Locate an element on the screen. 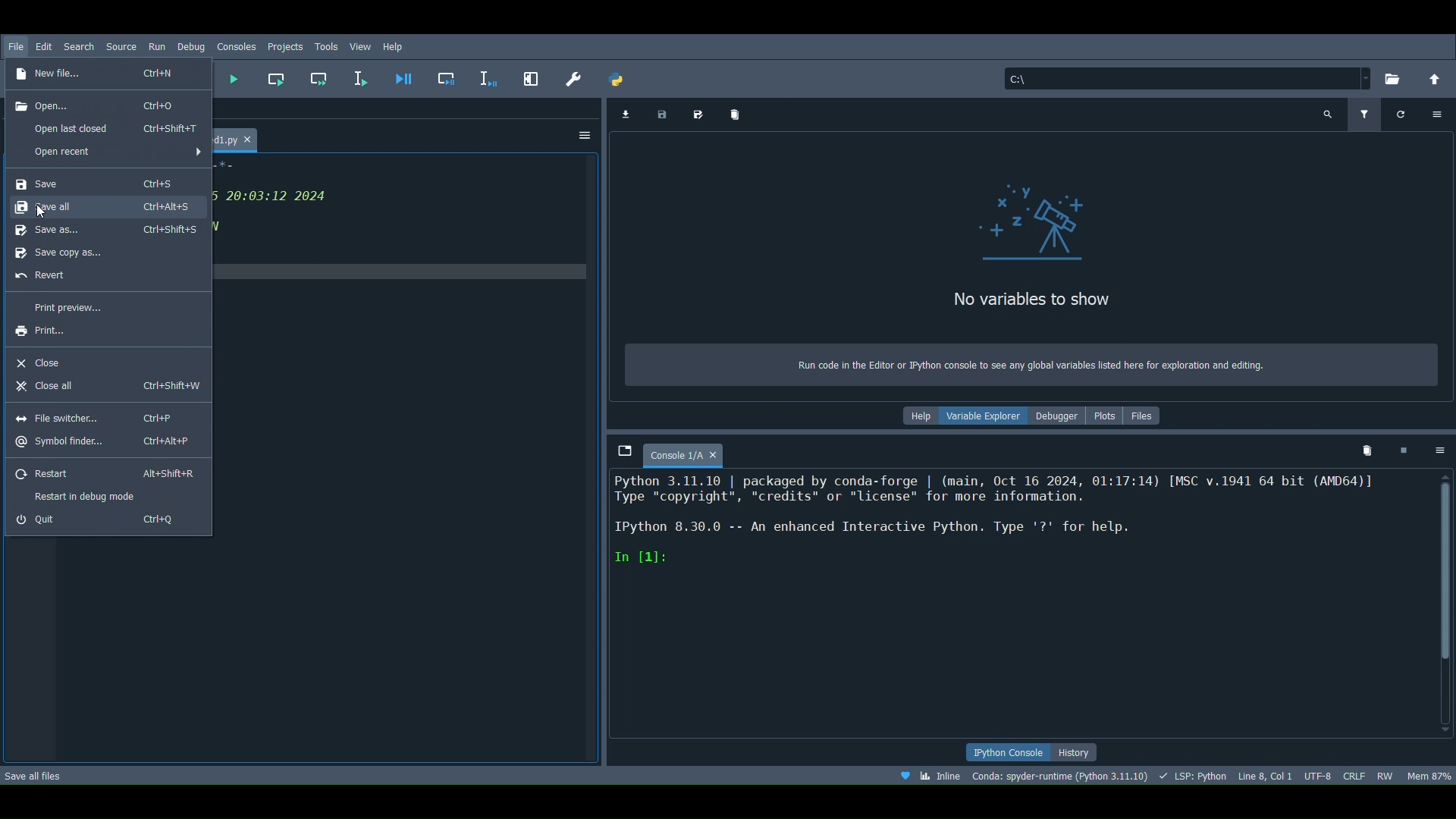 Image resolution: width=1456 pixels, height=819 pixels. Help is located at coordinates (921, 416).